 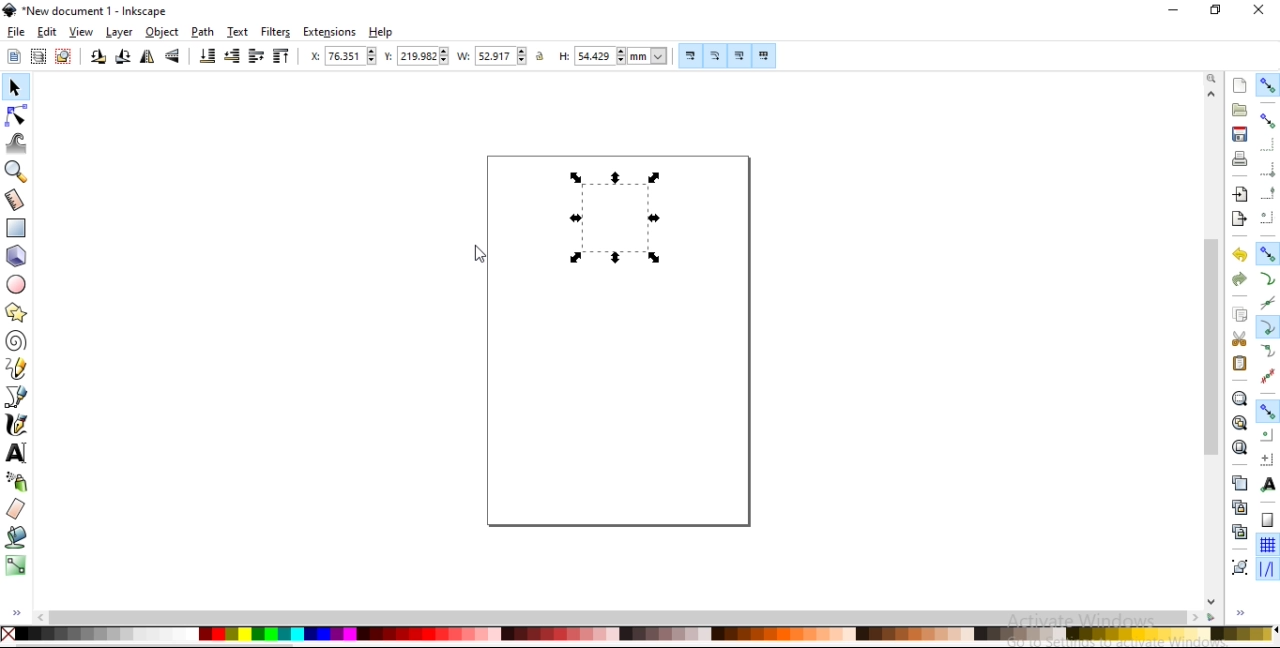 I want to click on close, so click(x=1258, y=10).